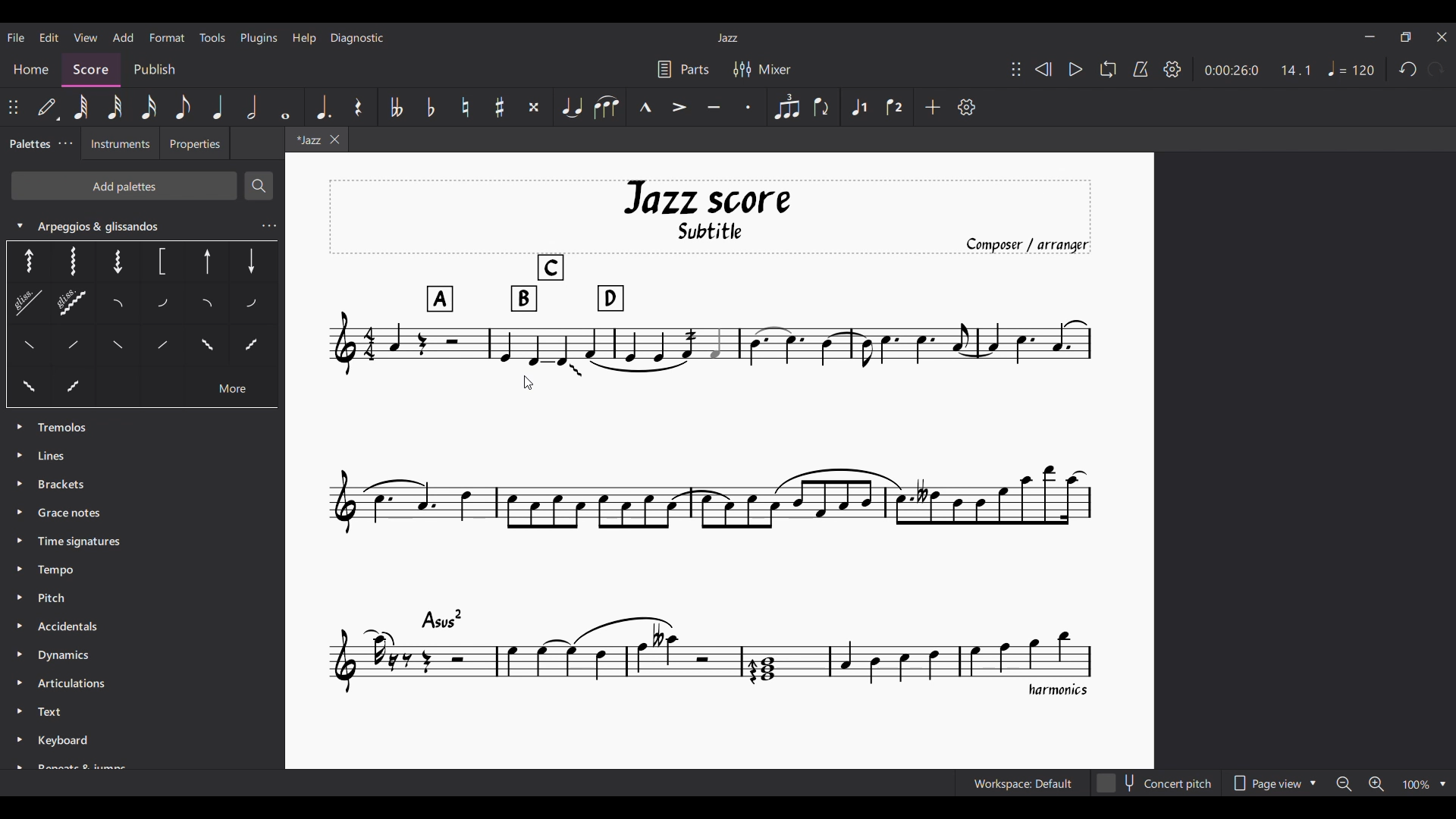 This screenshot has width=1456, height=819. Describe the element at coordinates (19, 225) in the screenshot. I see `Collapse` at that location.